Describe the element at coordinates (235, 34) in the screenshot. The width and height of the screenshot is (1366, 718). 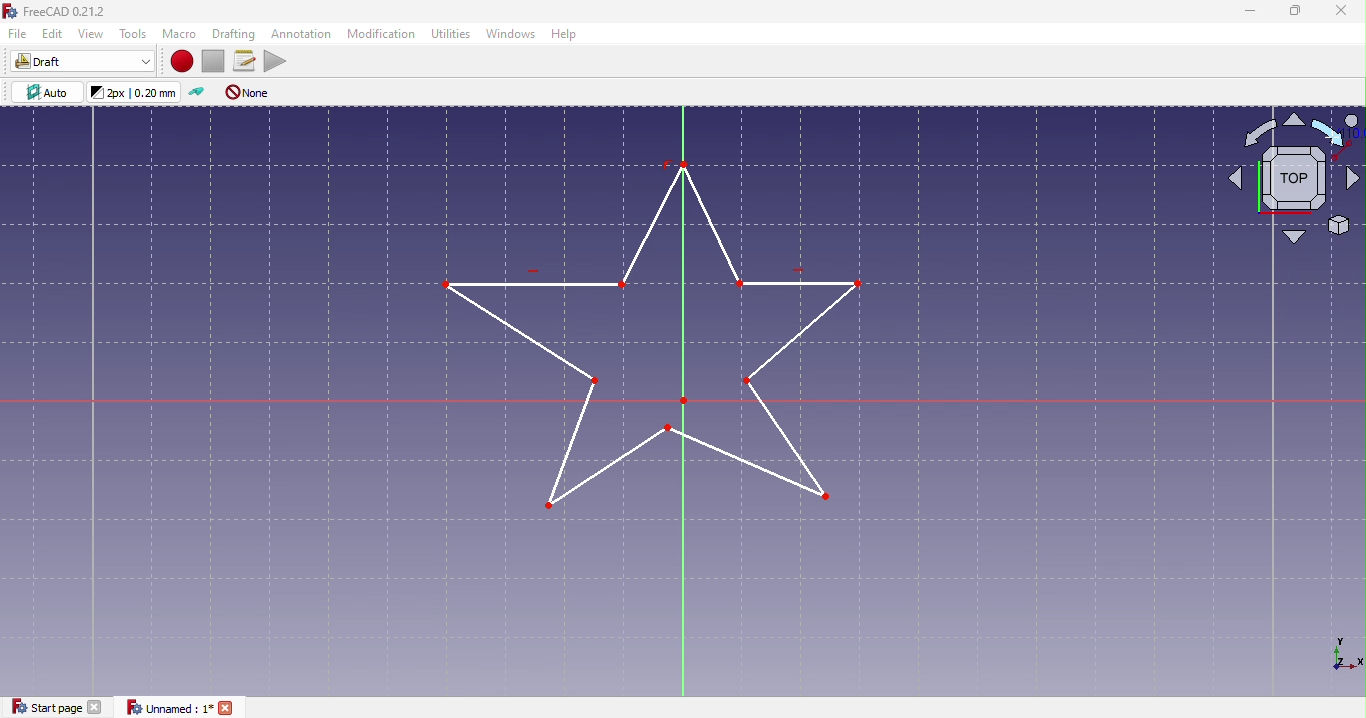
I see `Drafting` at that location.